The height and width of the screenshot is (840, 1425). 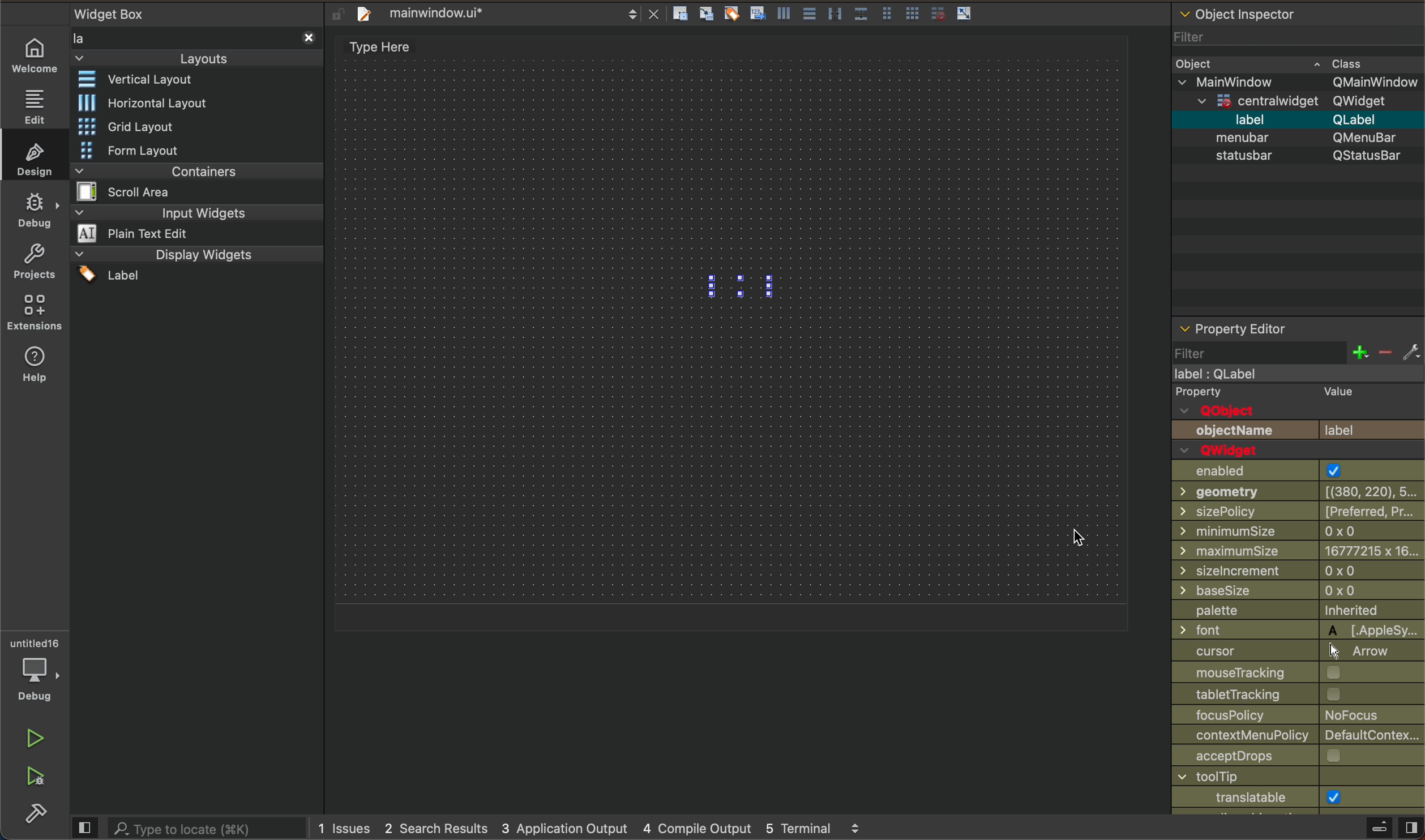 I want to click on debug, so click(x=32, y=674).